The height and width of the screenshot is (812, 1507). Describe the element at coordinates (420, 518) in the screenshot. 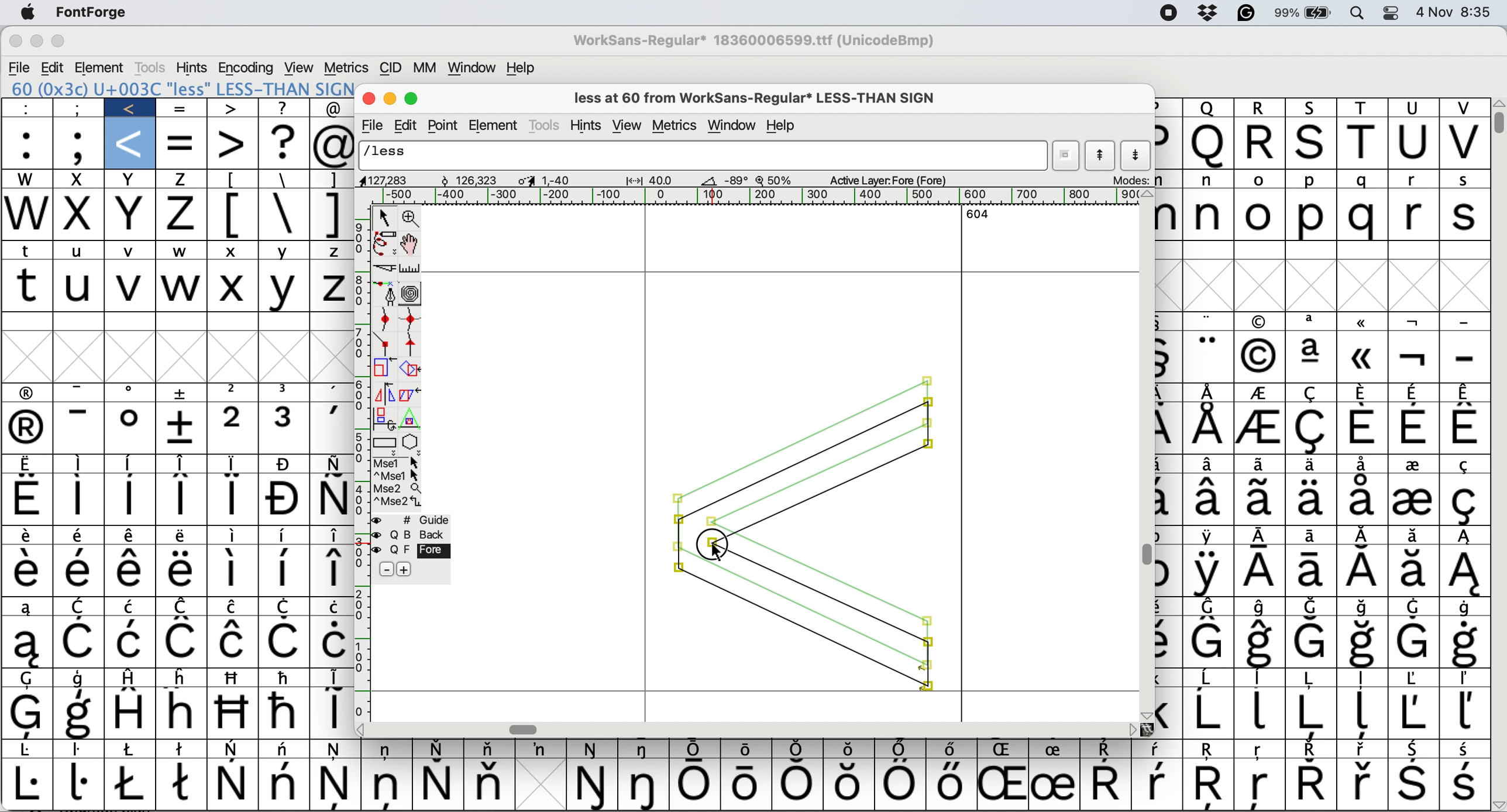

I see `guide` at that location.